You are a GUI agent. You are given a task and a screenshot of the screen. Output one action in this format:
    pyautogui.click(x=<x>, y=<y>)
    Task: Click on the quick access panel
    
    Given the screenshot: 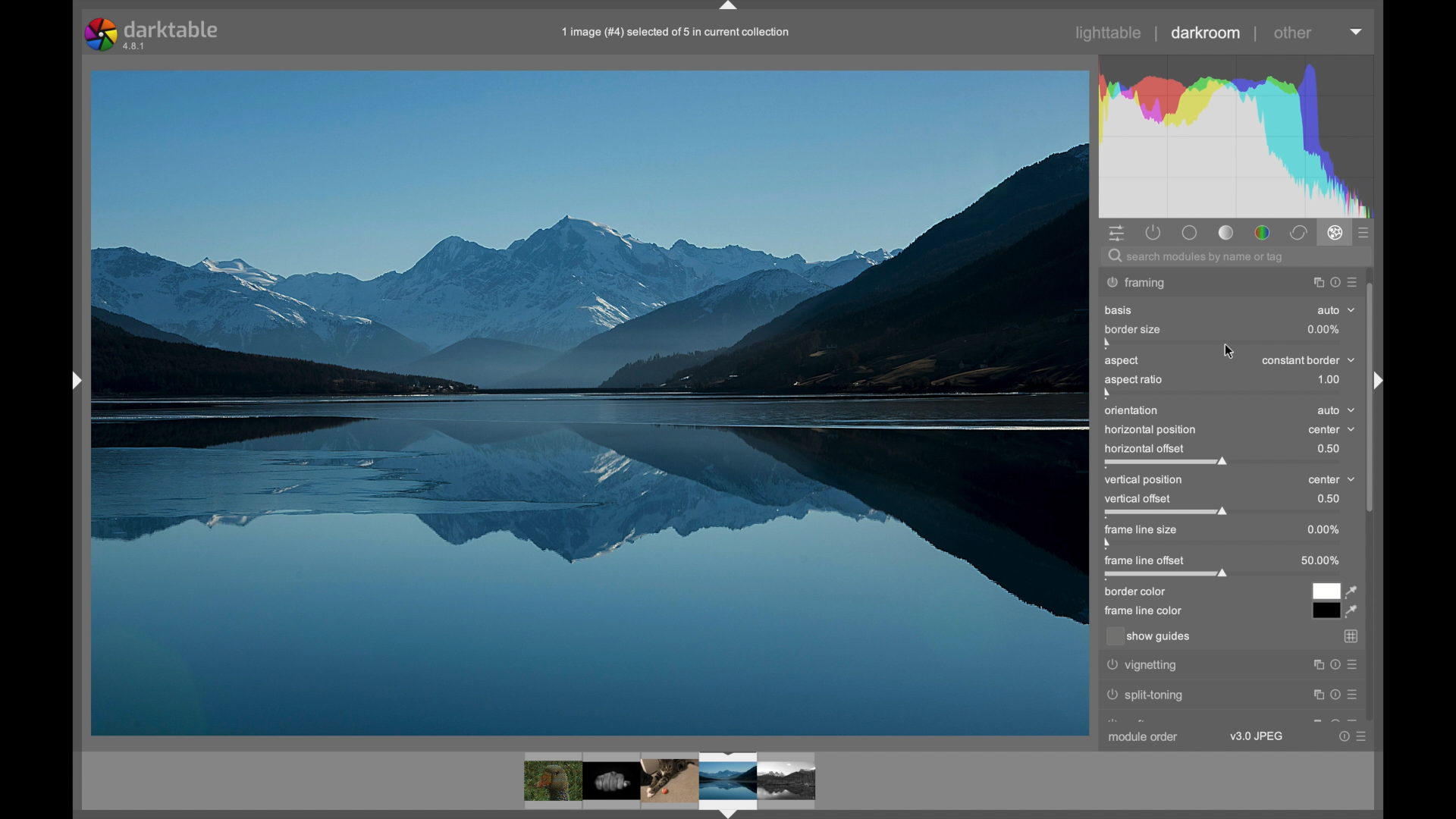 What is the action you would take?
    pyautogui.click(x=1118, y=234)
    